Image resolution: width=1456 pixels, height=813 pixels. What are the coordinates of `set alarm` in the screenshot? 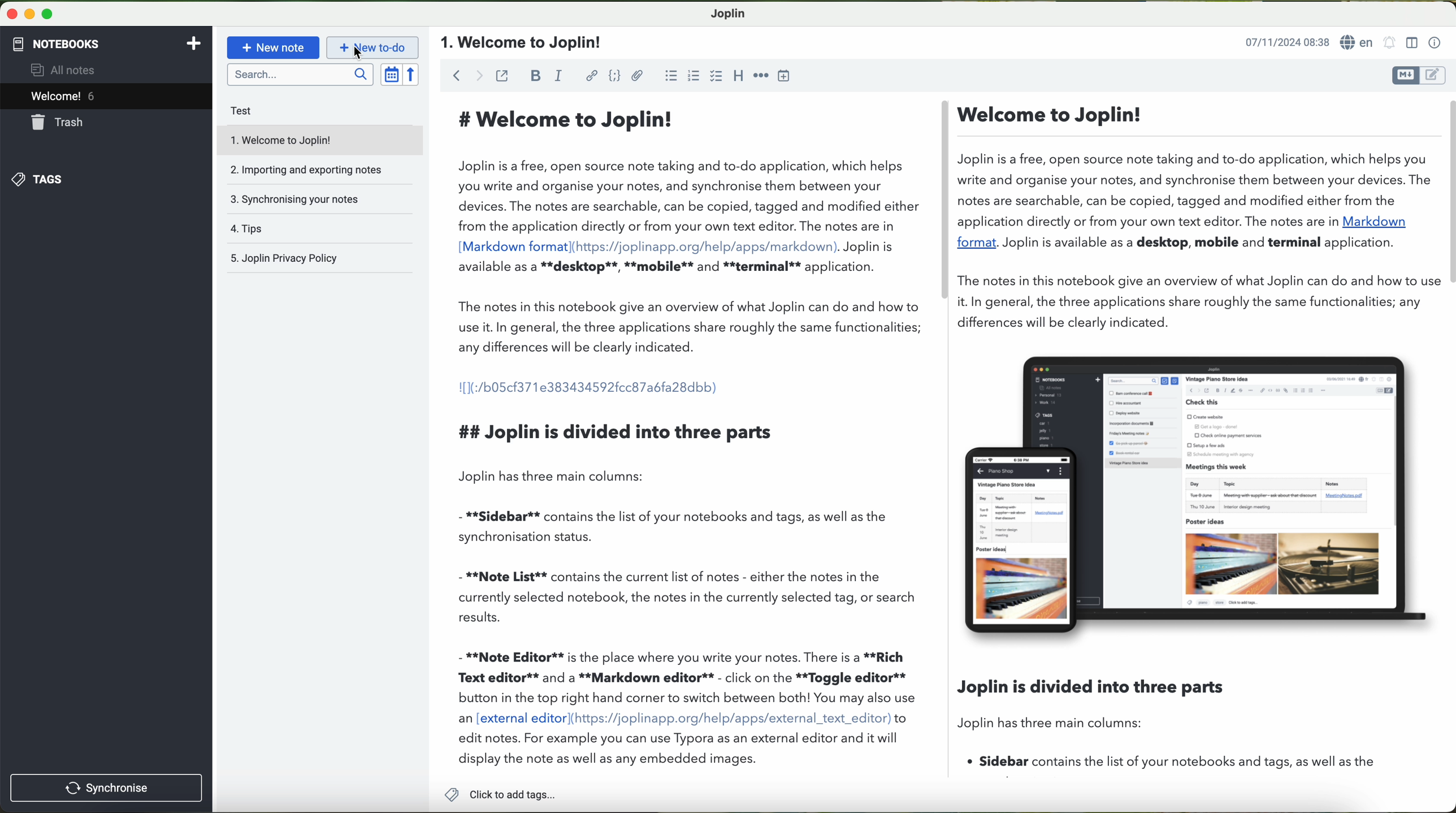 It's located at (1389, 42).